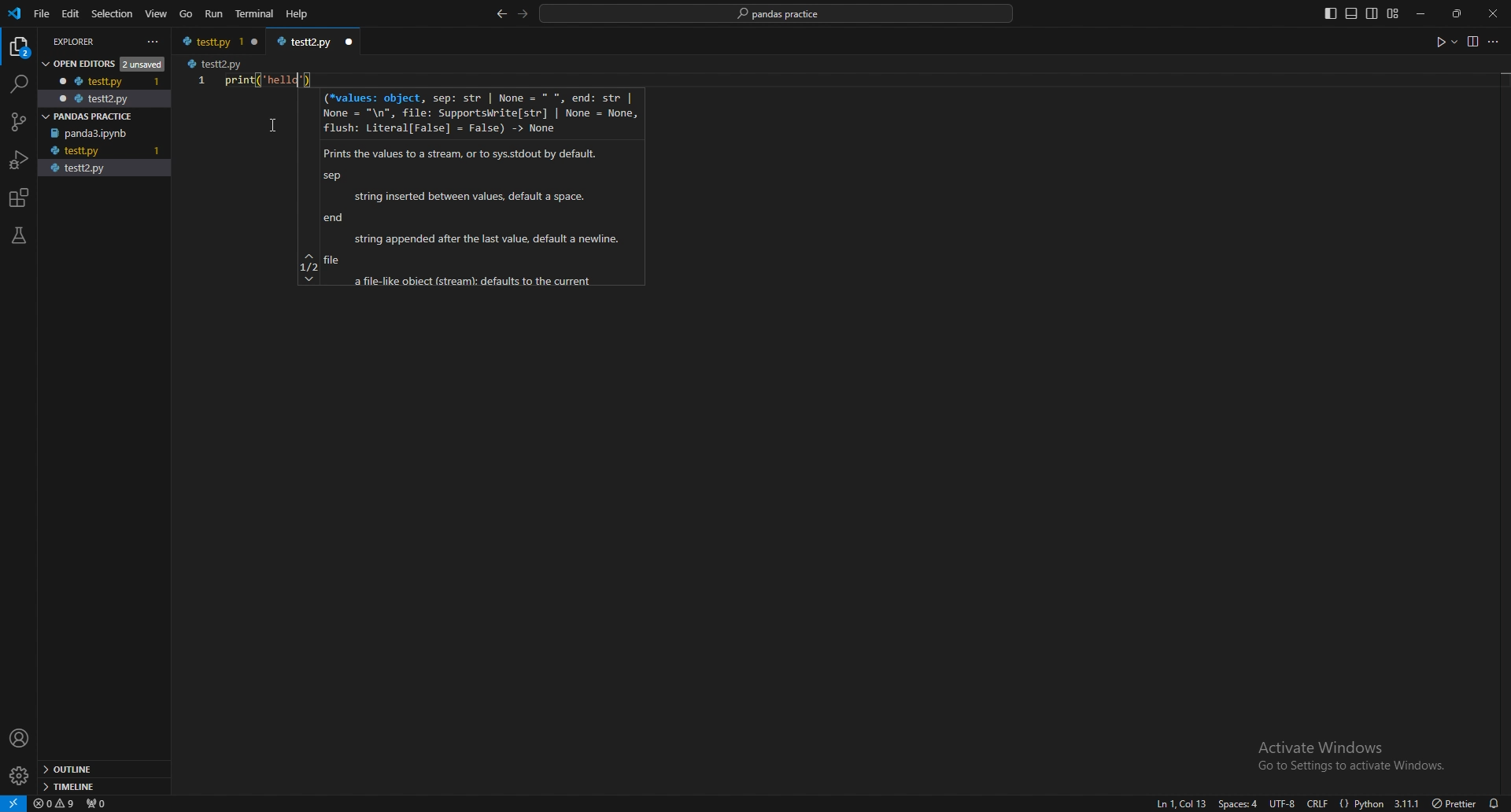 The width and height of the screenshot is (1511, 812). I want to click on remote window, so click(13, 803).